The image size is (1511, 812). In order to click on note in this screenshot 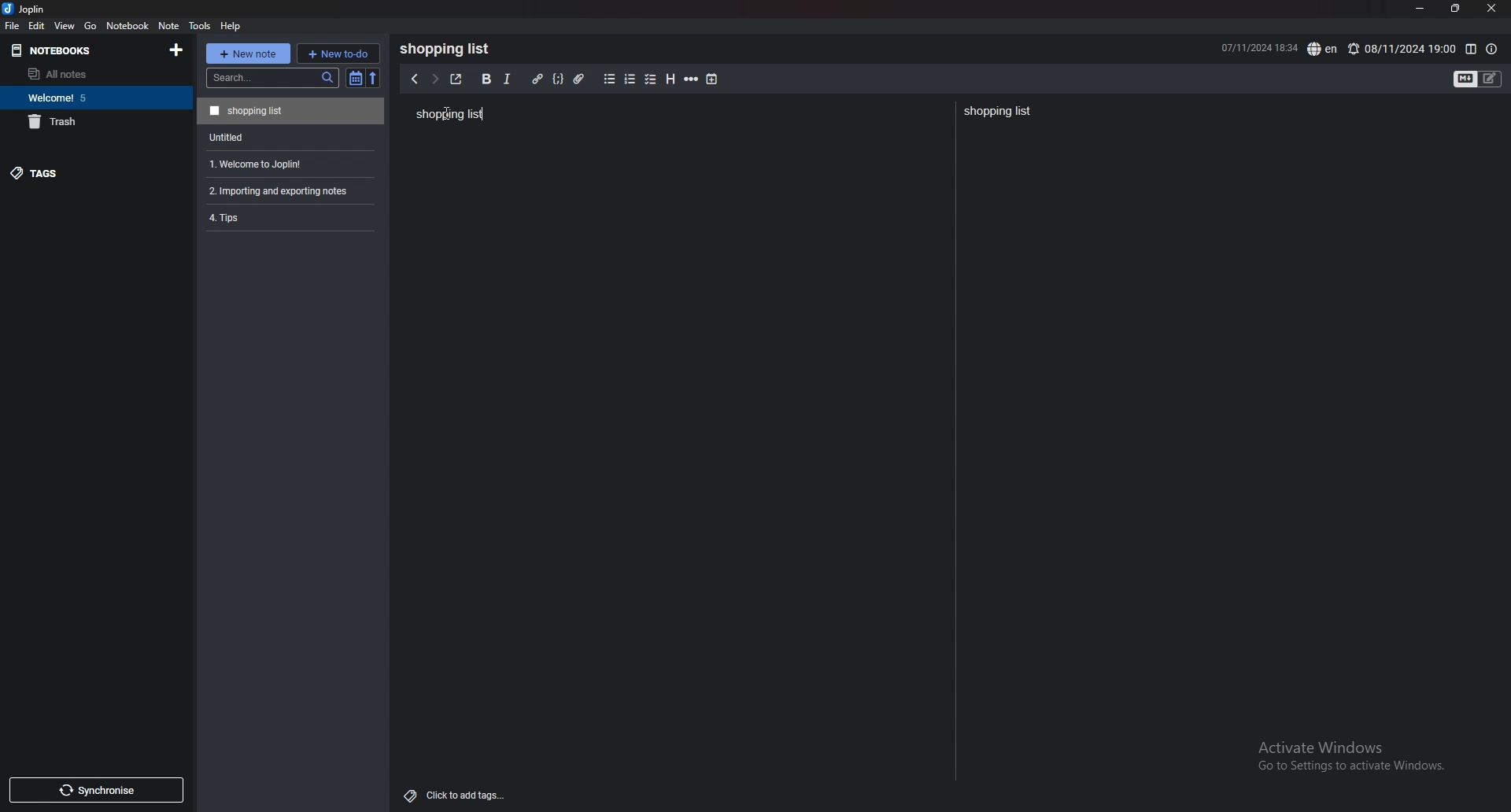, I will do `click(170, 26)`.